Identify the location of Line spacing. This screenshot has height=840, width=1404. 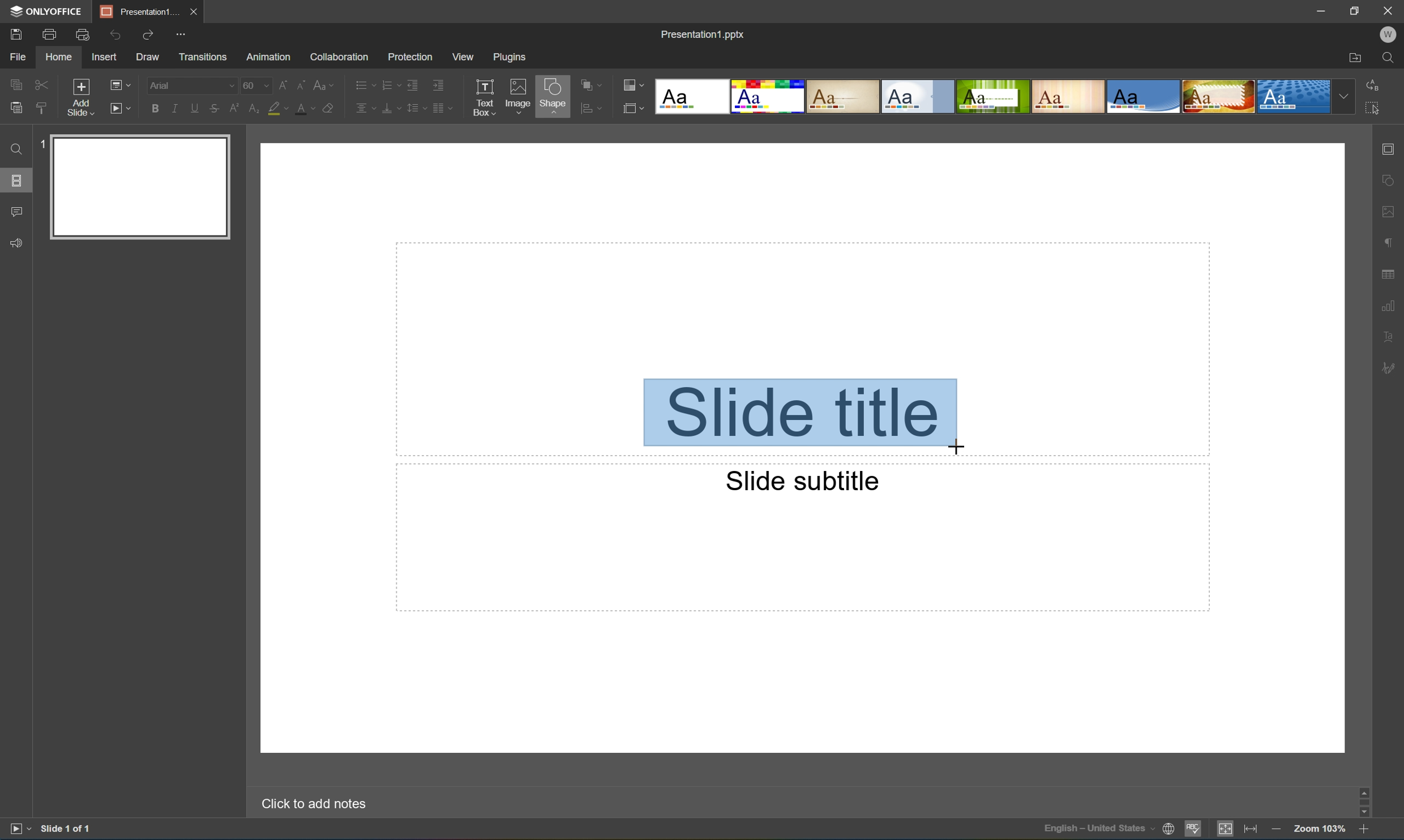
(415, 109).